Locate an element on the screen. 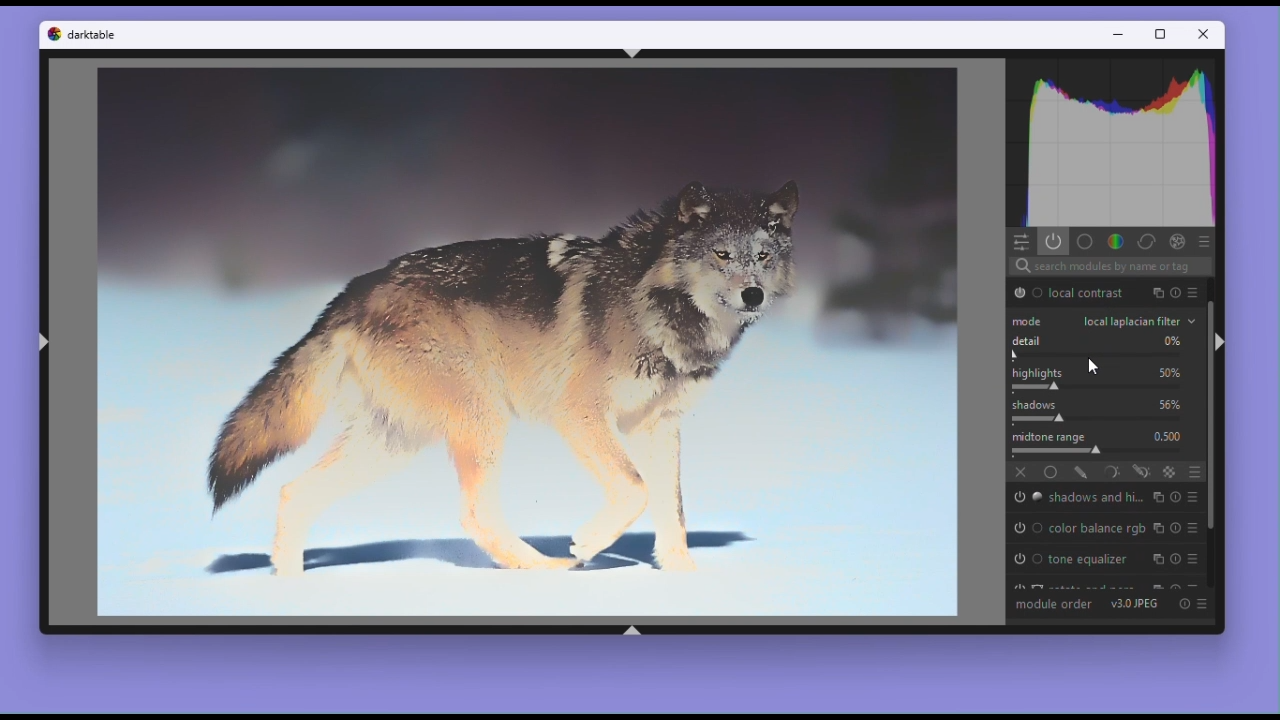 The image size is (1280, 720). Image is located at coordinates (528, 341).